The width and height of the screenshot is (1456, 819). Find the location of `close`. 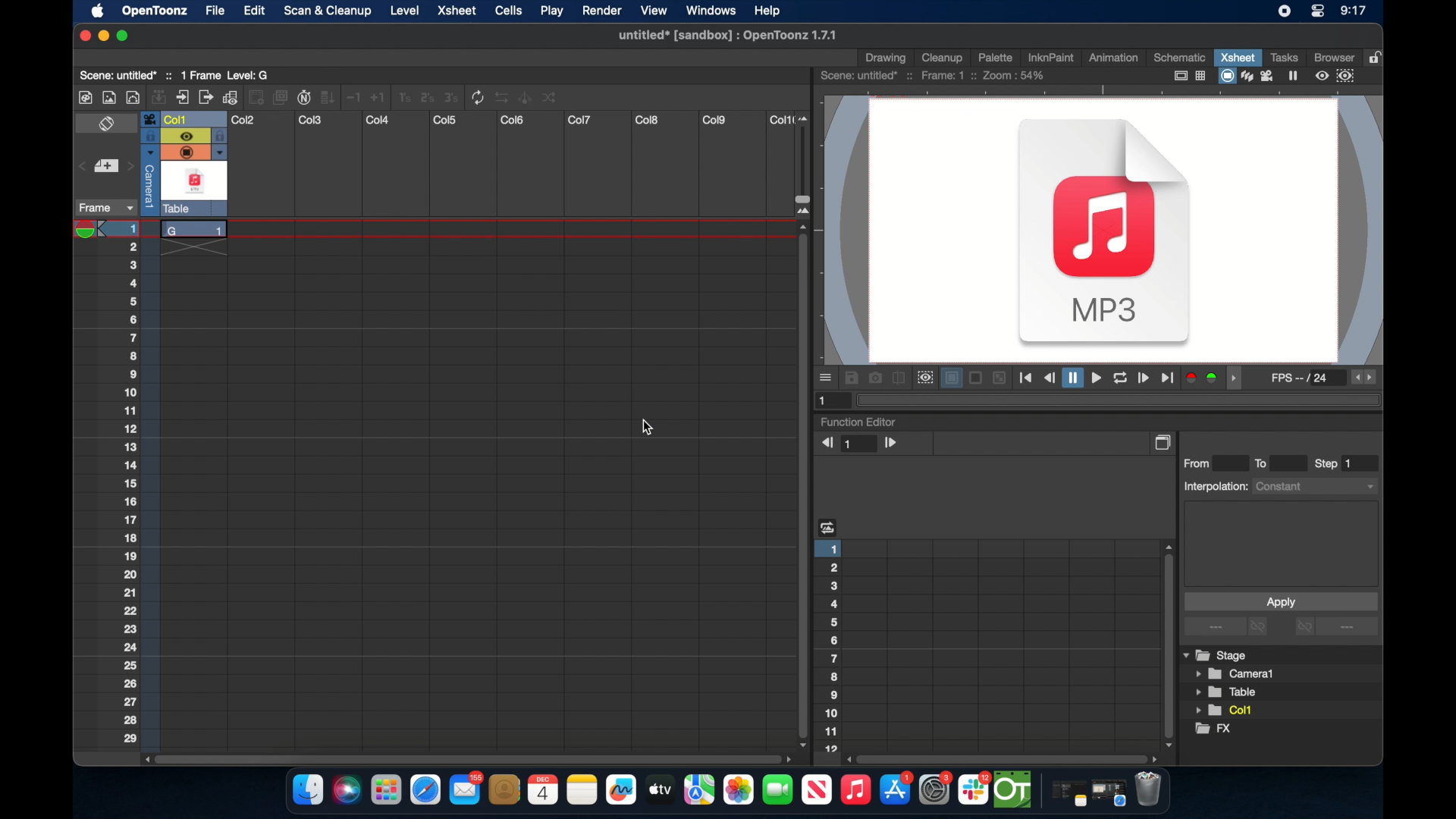

close is located at coordinates (82, 36).